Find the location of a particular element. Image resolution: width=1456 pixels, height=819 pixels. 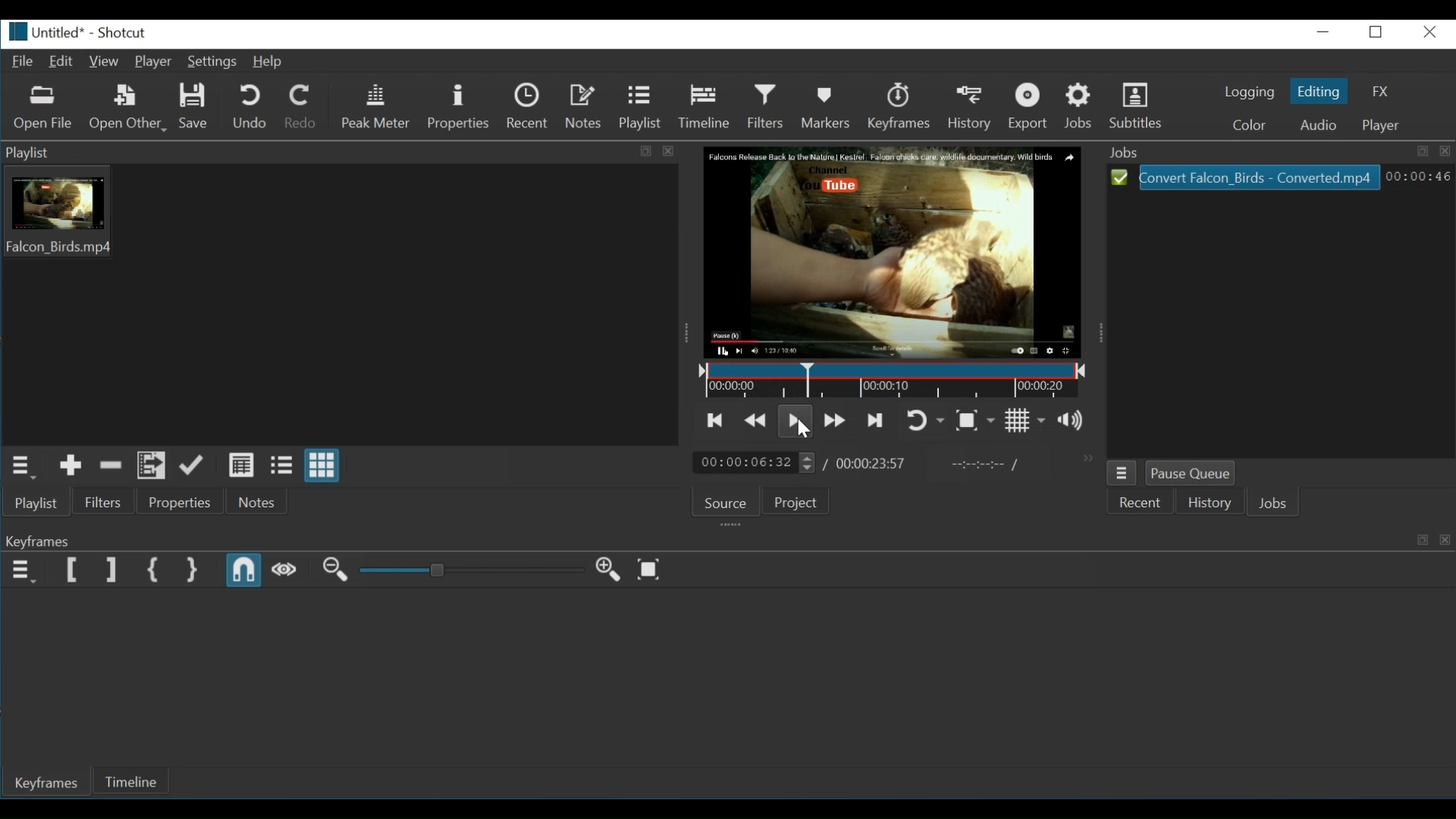

Export is located at coordinates (1028, 107).